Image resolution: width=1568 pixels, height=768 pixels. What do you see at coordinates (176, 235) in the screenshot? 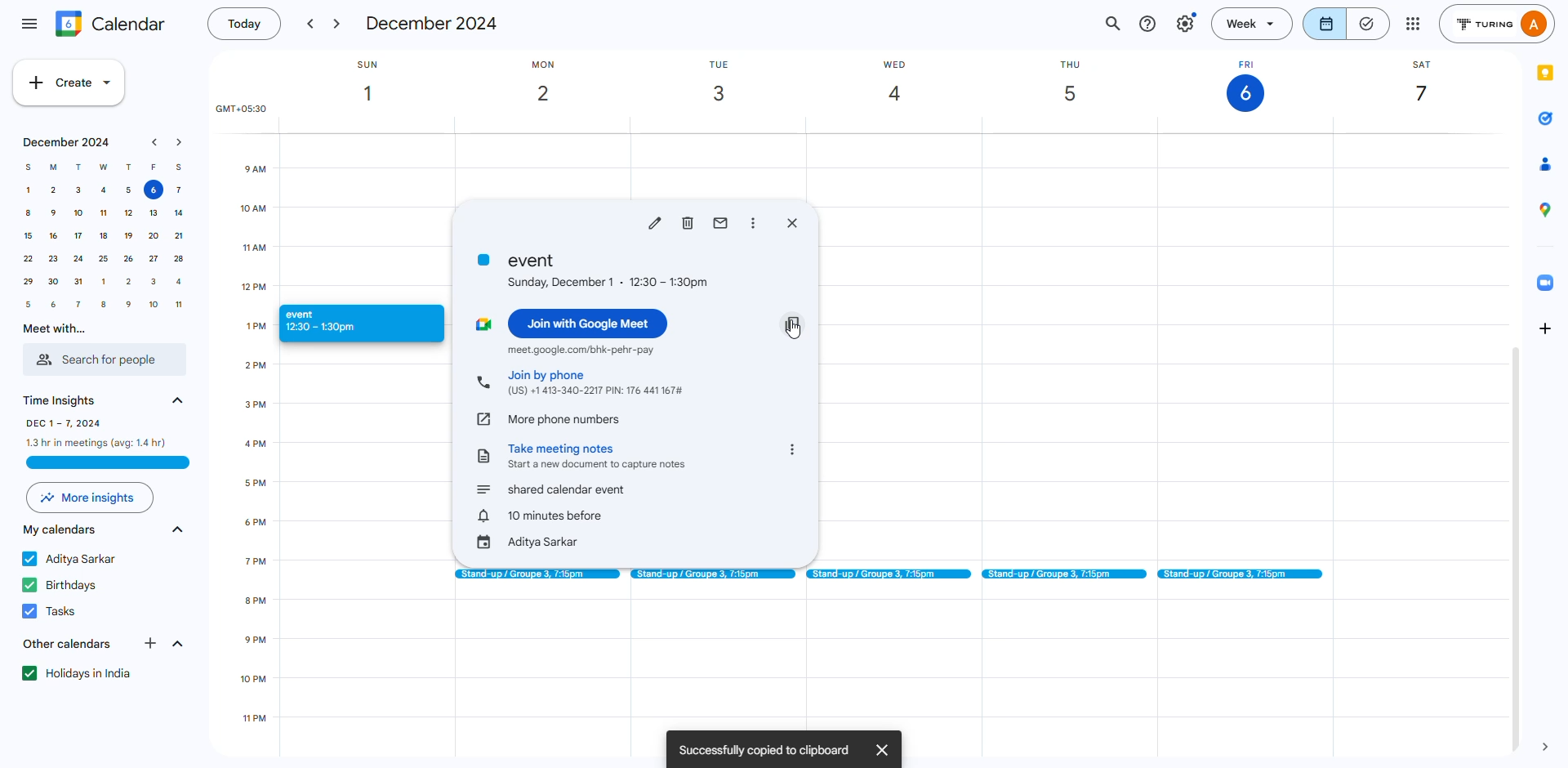
I see `21` at bounding box center [176, 235].